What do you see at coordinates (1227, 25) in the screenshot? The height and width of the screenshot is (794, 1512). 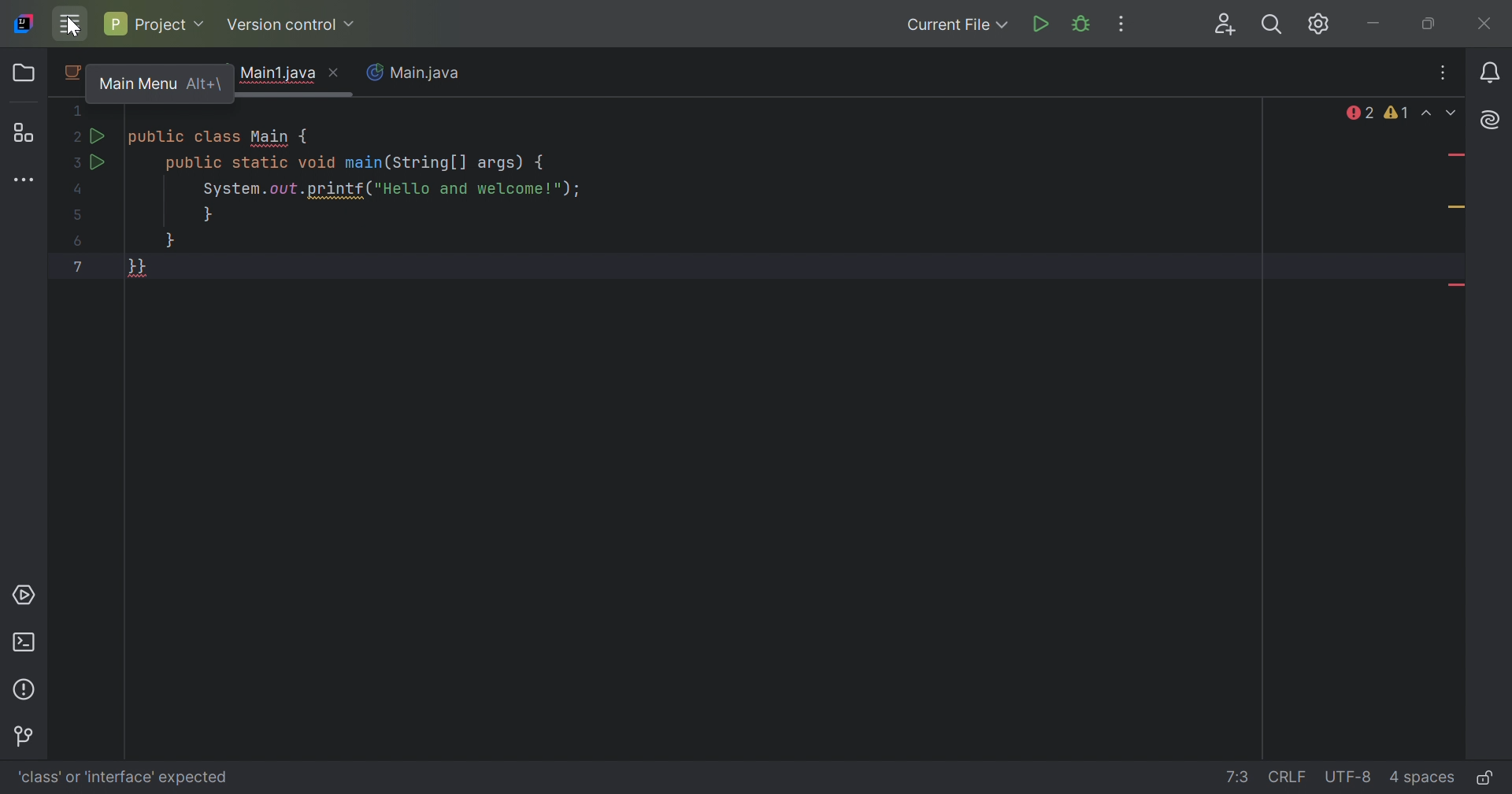 I see `Code With Me` at bounding box center [1227, 25].